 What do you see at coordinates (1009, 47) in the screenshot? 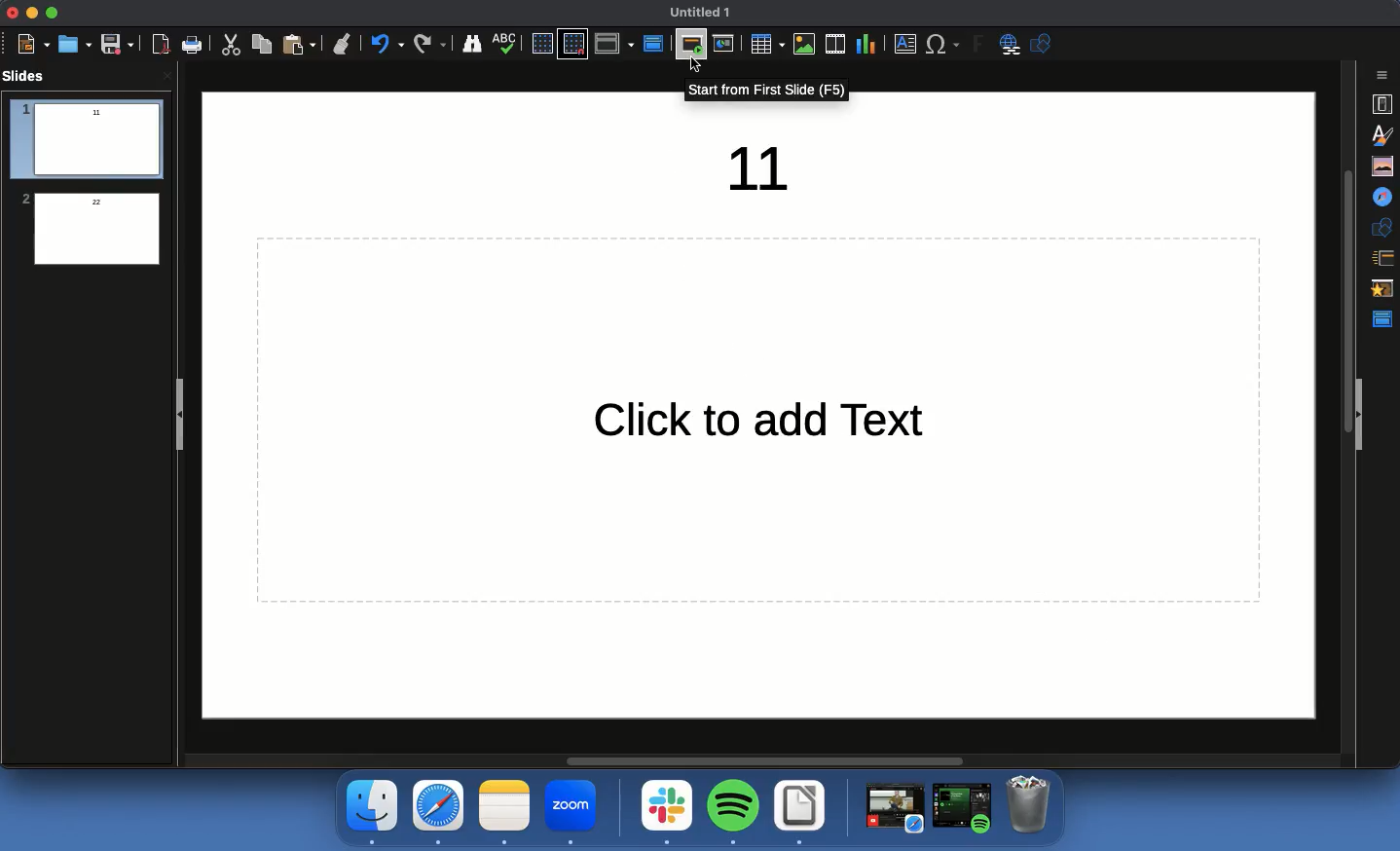
I see `Hyperlink` at bounding box center [1009, 47].